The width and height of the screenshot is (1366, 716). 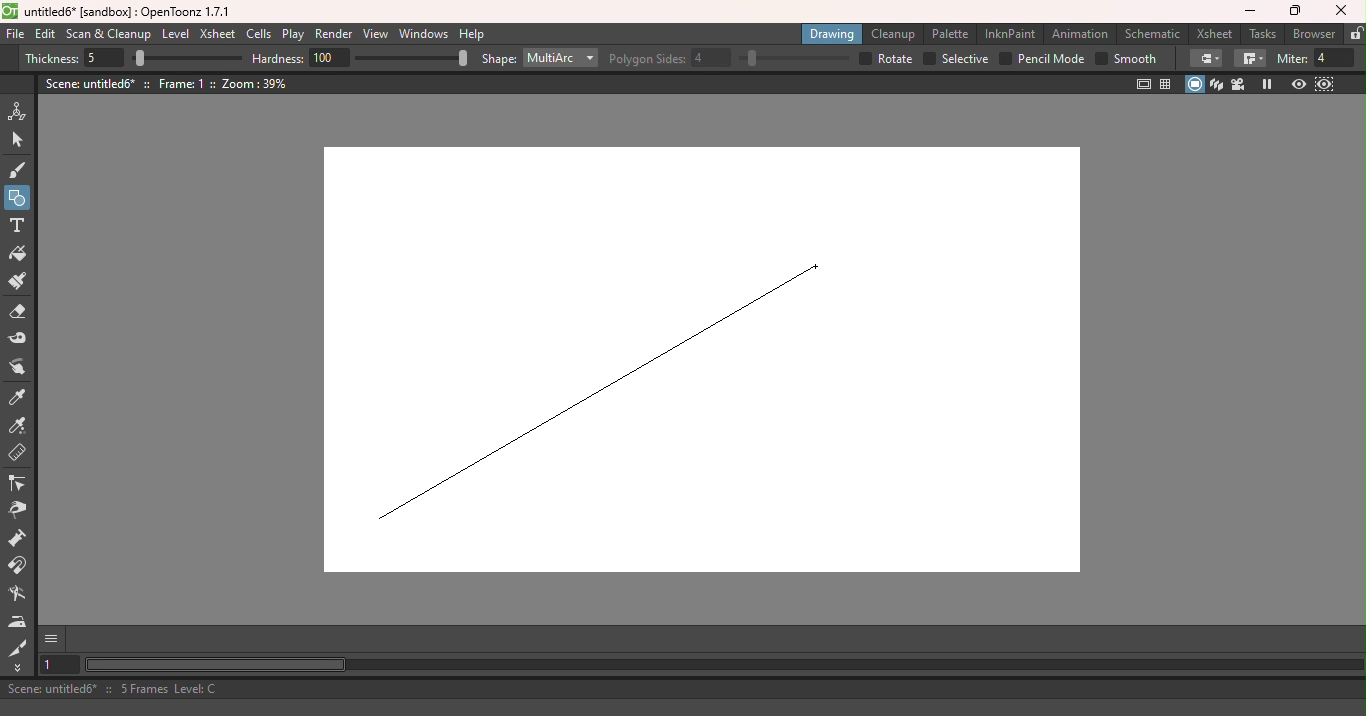 I want to click on Finger tool, so click(x=18, y=370).